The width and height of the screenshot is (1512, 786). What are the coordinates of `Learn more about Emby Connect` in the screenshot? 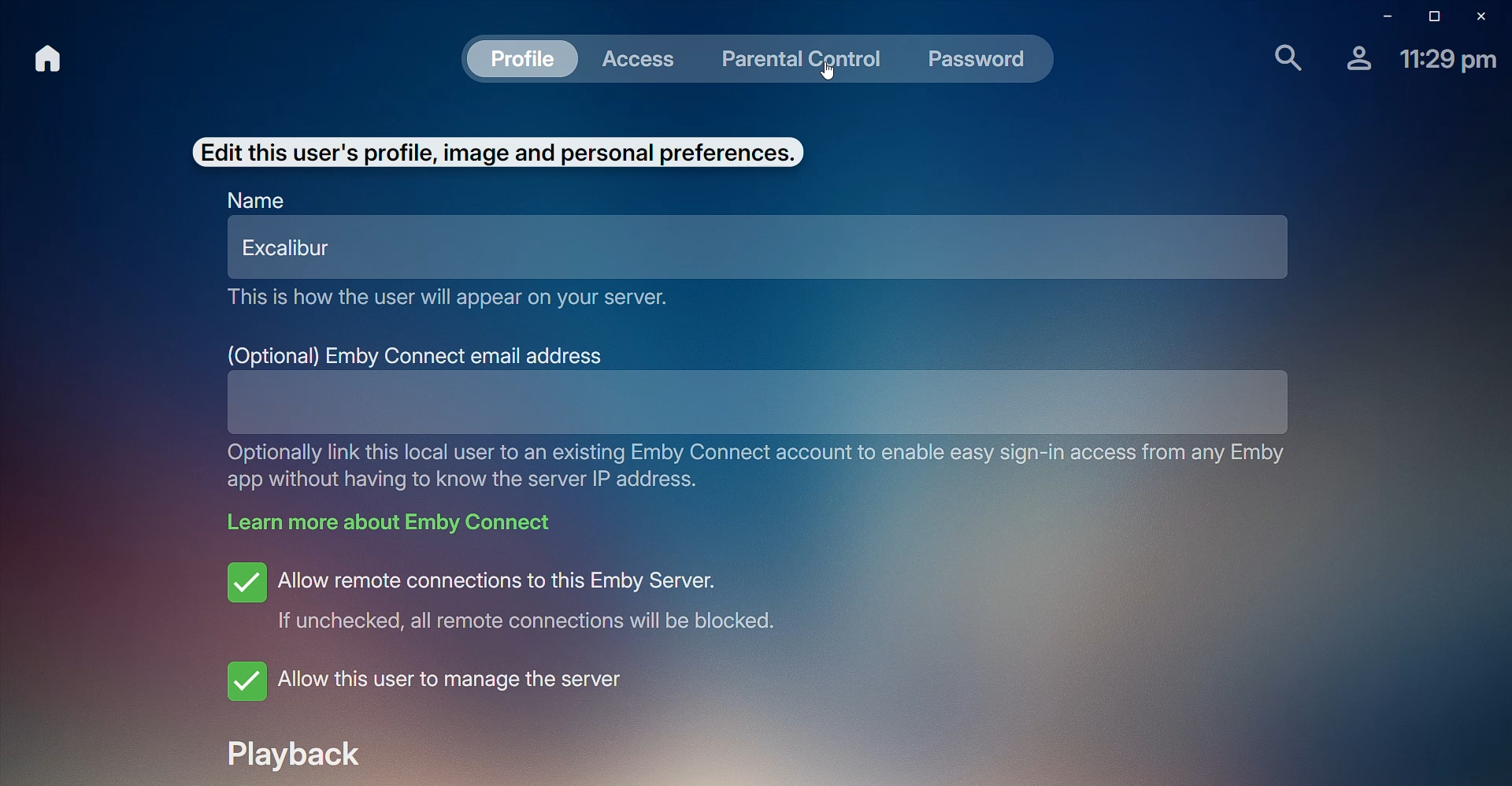 It's located at (394, 527).